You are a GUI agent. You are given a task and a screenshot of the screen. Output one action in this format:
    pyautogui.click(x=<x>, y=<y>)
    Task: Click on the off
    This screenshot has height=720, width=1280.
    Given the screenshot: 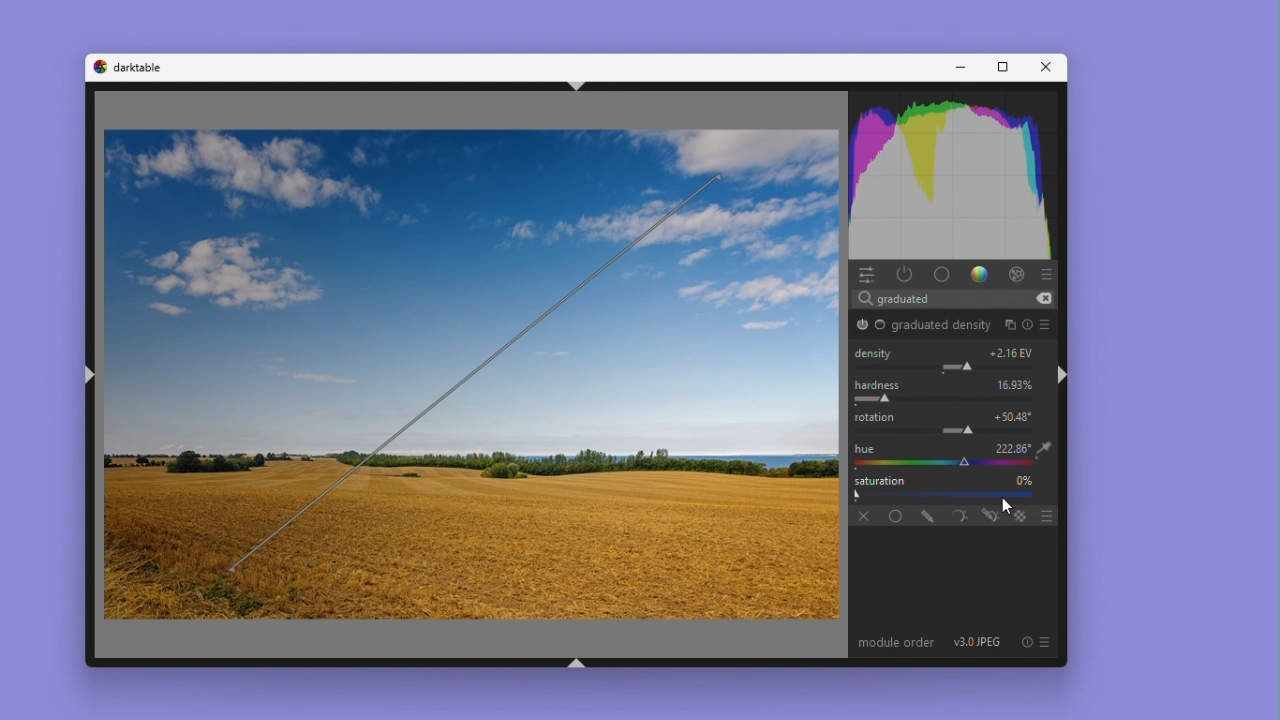 What is the action you would take?
    pyautogui.click(x=861, y=514)
    